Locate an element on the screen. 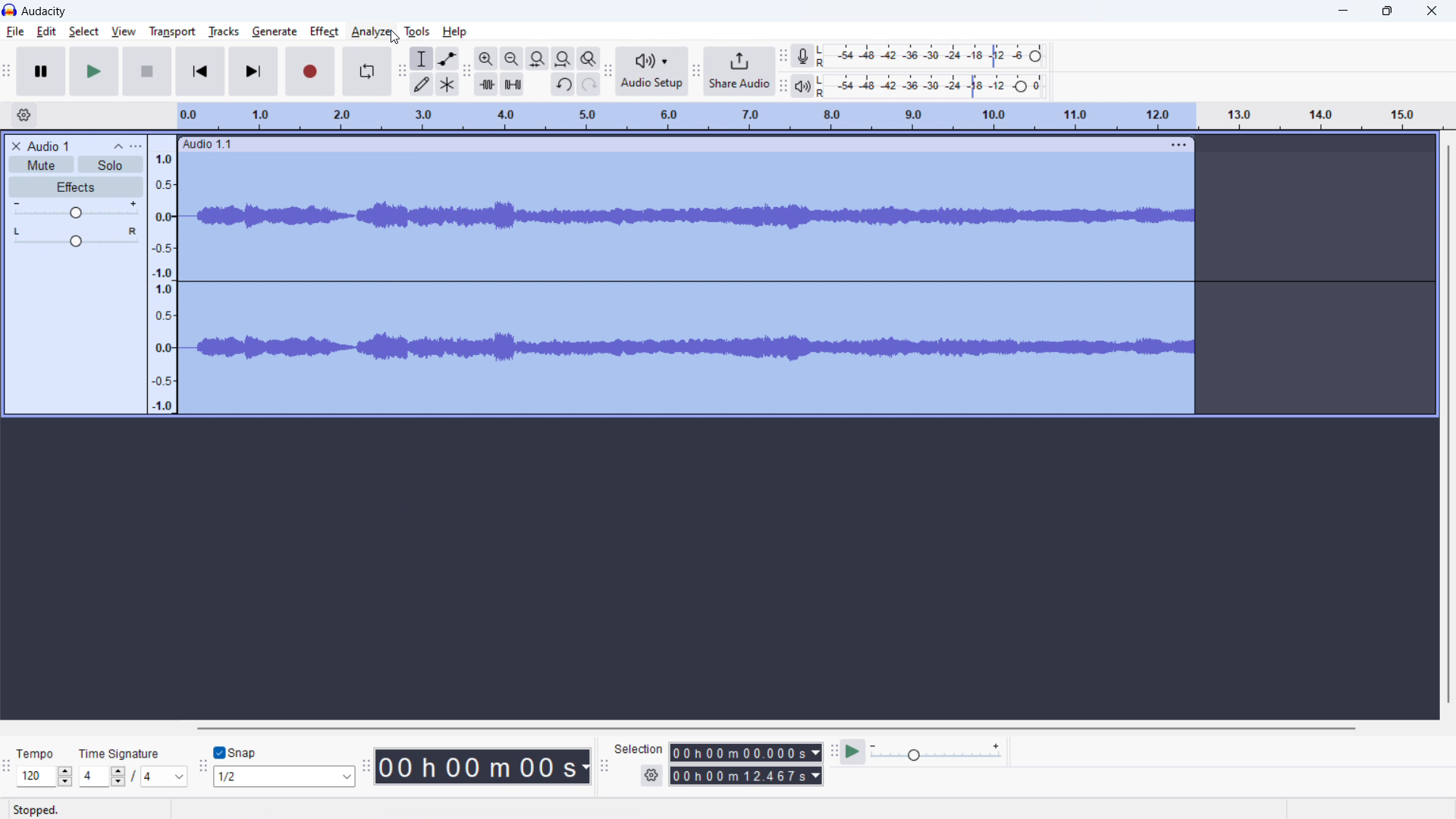 Image resolution: width=1456 pixels, height=819 pixels. toggle snap is located at coordinates (237, 753).